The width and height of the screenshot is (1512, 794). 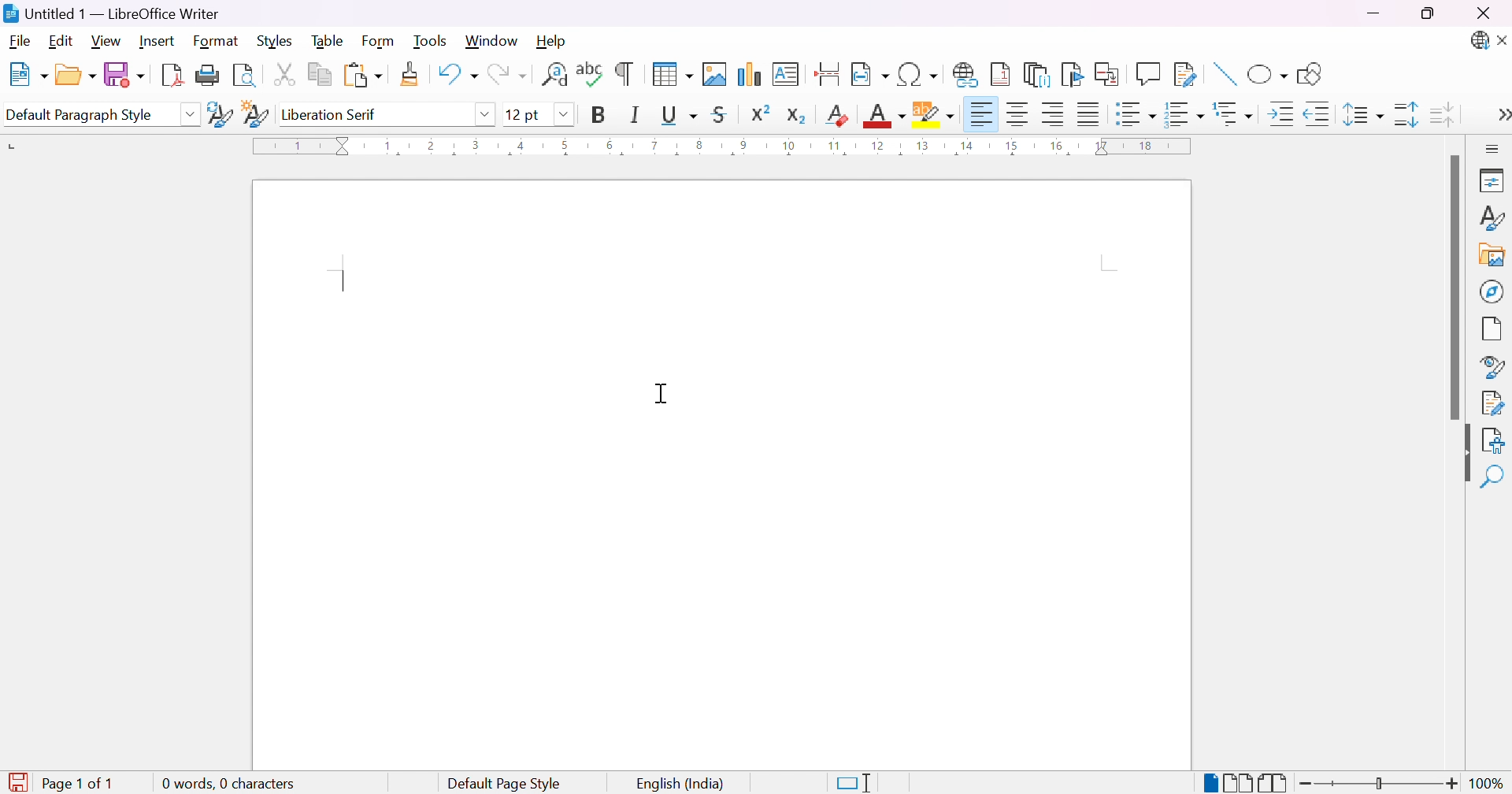 What do you see at coordinates (328, 39) in the screenshot?
I see `Table` at bounding box center [328, 39].